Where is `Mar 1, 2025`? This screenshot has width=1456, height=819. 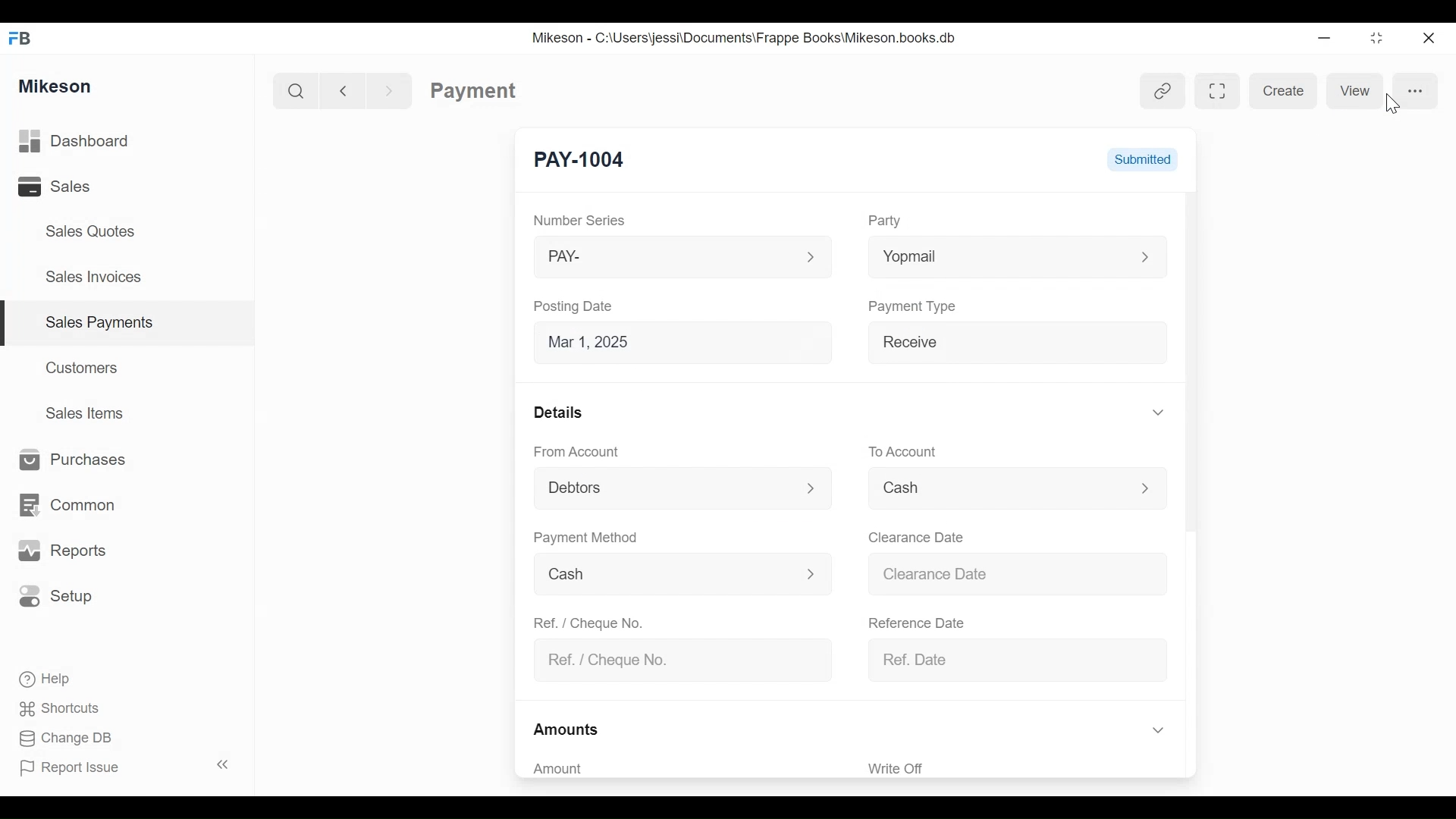
Mar 1, 2025 is located at coordinates (692, 345).